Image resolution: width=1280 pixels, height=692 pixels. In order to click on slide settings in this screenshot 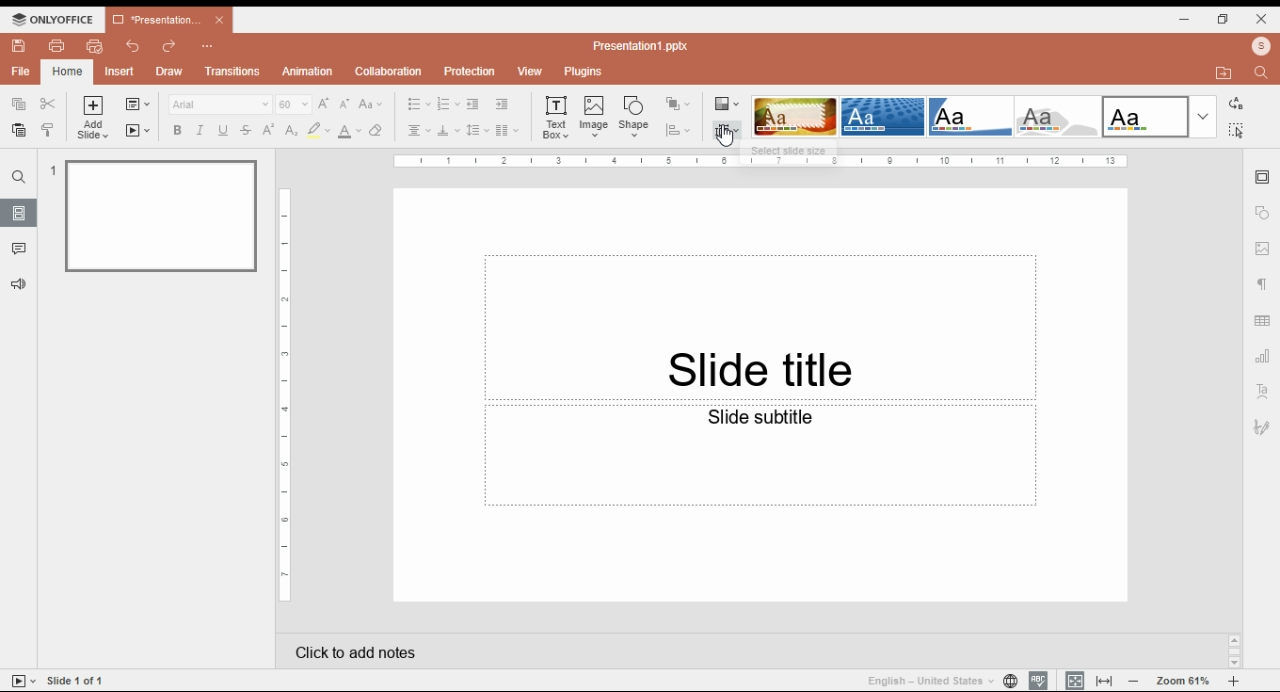, I will do `click(1264, 178)`.